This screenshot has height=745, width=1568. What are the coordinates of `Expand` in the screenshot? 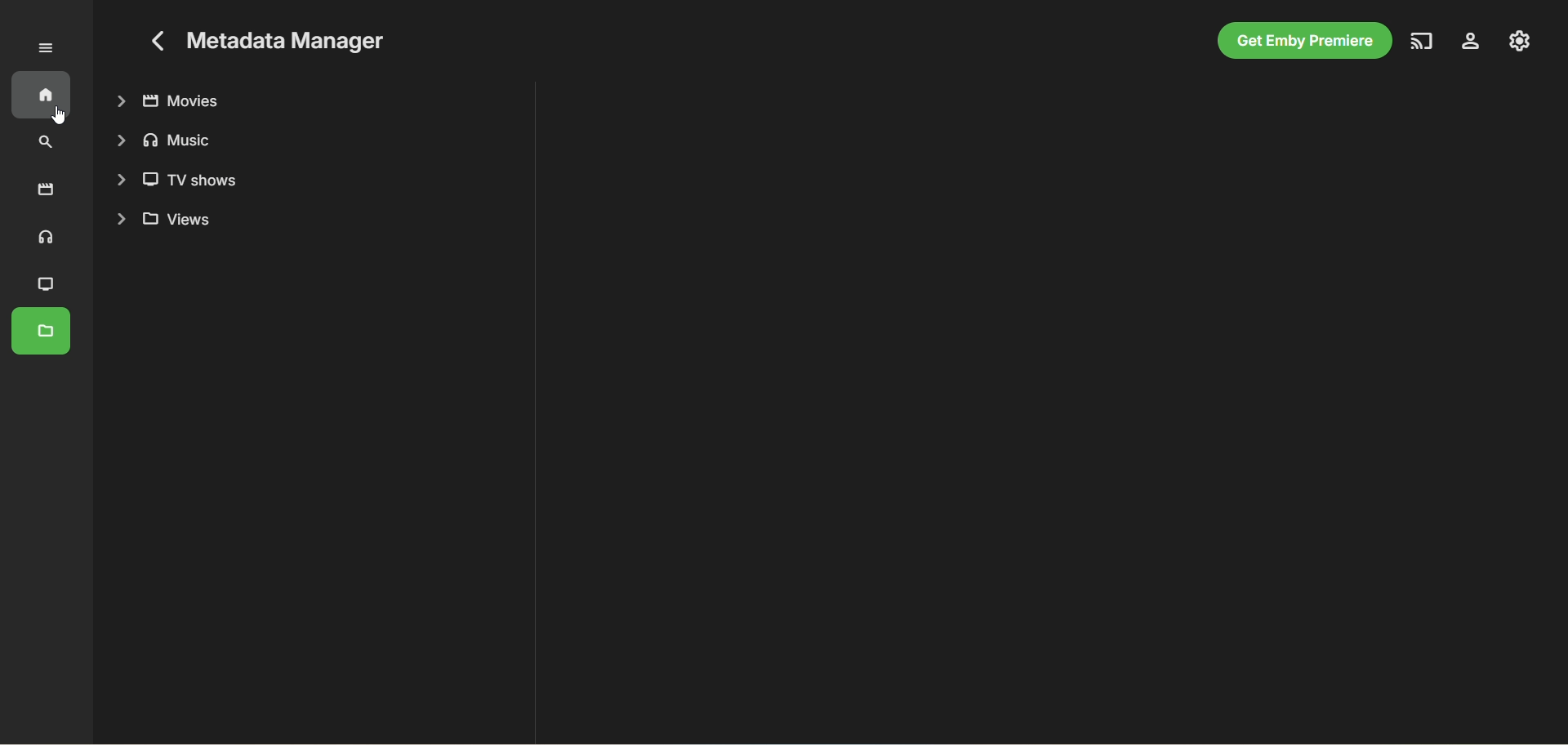 It's located at (41, 51).